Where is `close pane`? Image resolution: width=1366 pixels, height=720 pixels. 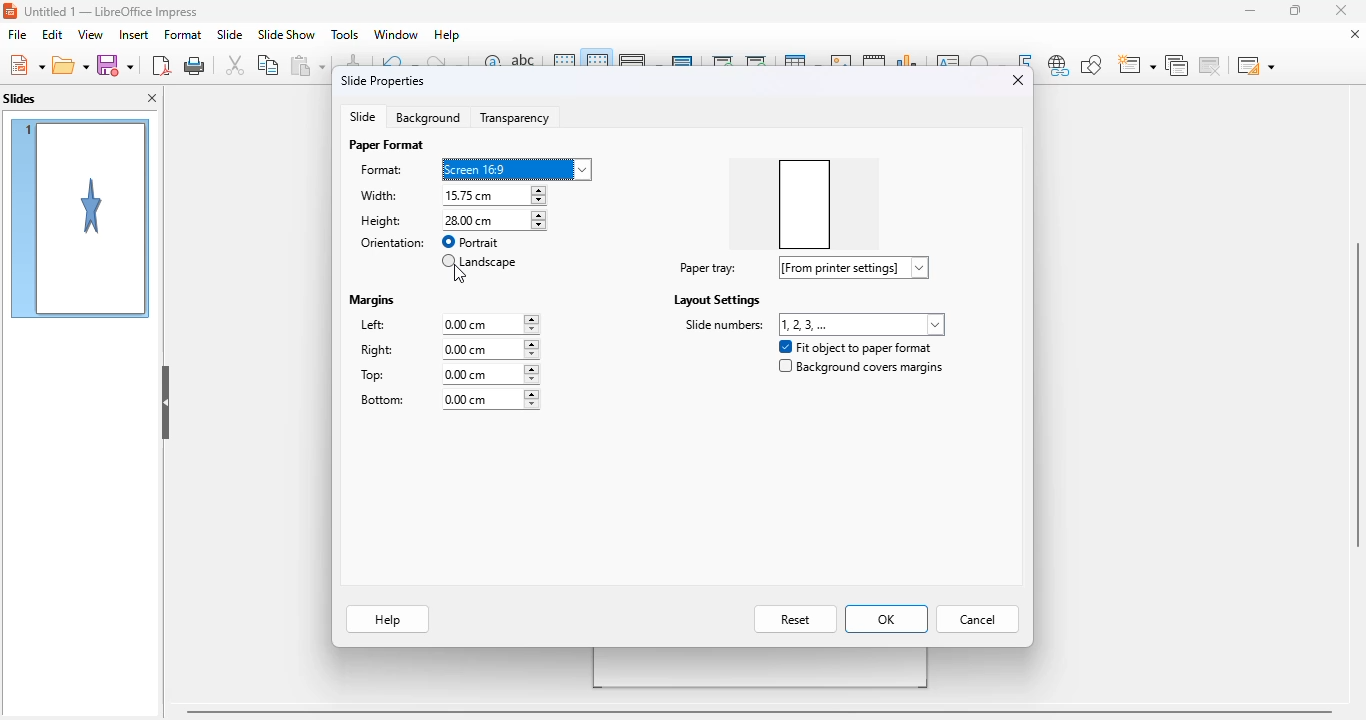 close pane is located at coordinates (152, 98).